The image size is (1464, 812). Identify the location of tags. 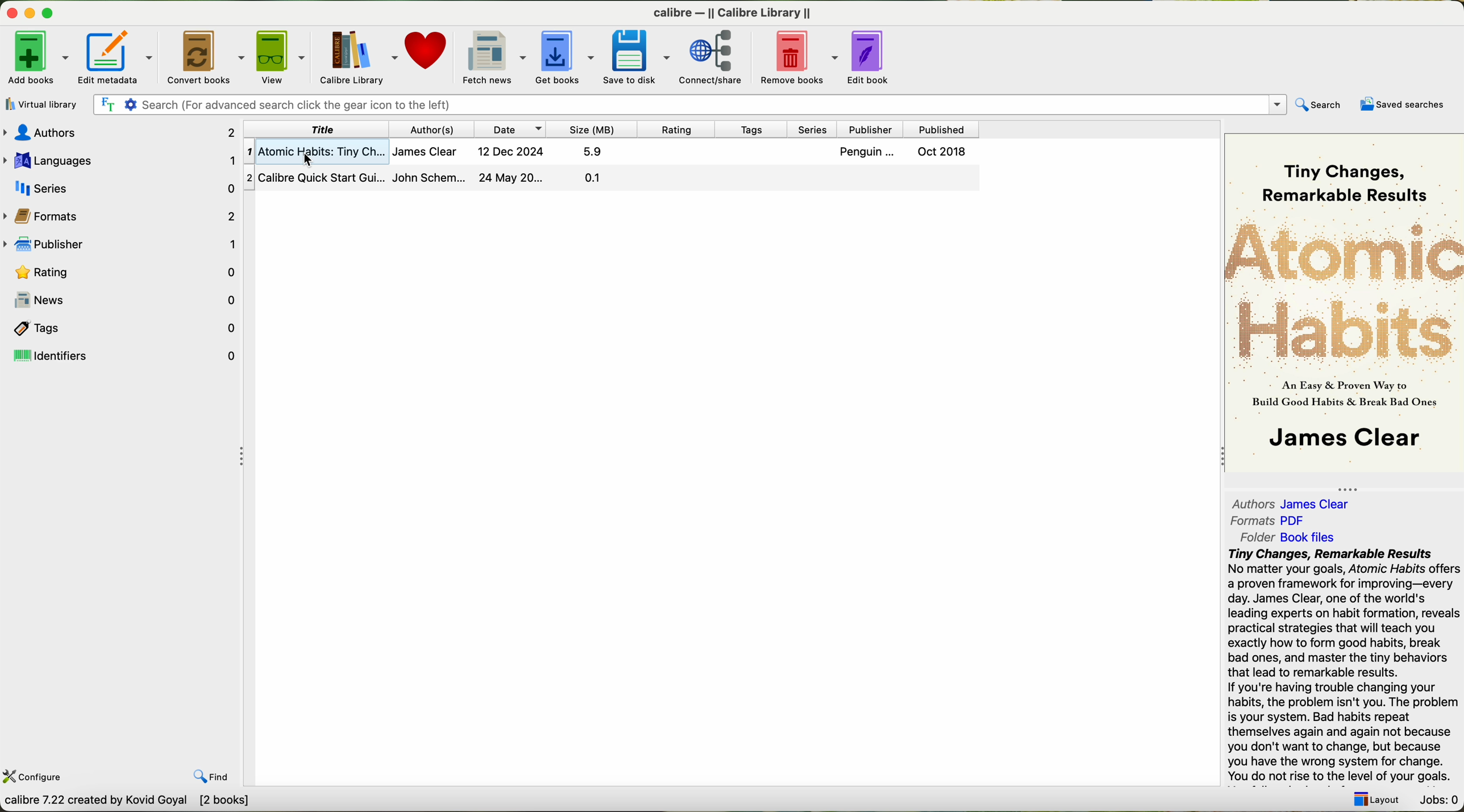
(123, 326).